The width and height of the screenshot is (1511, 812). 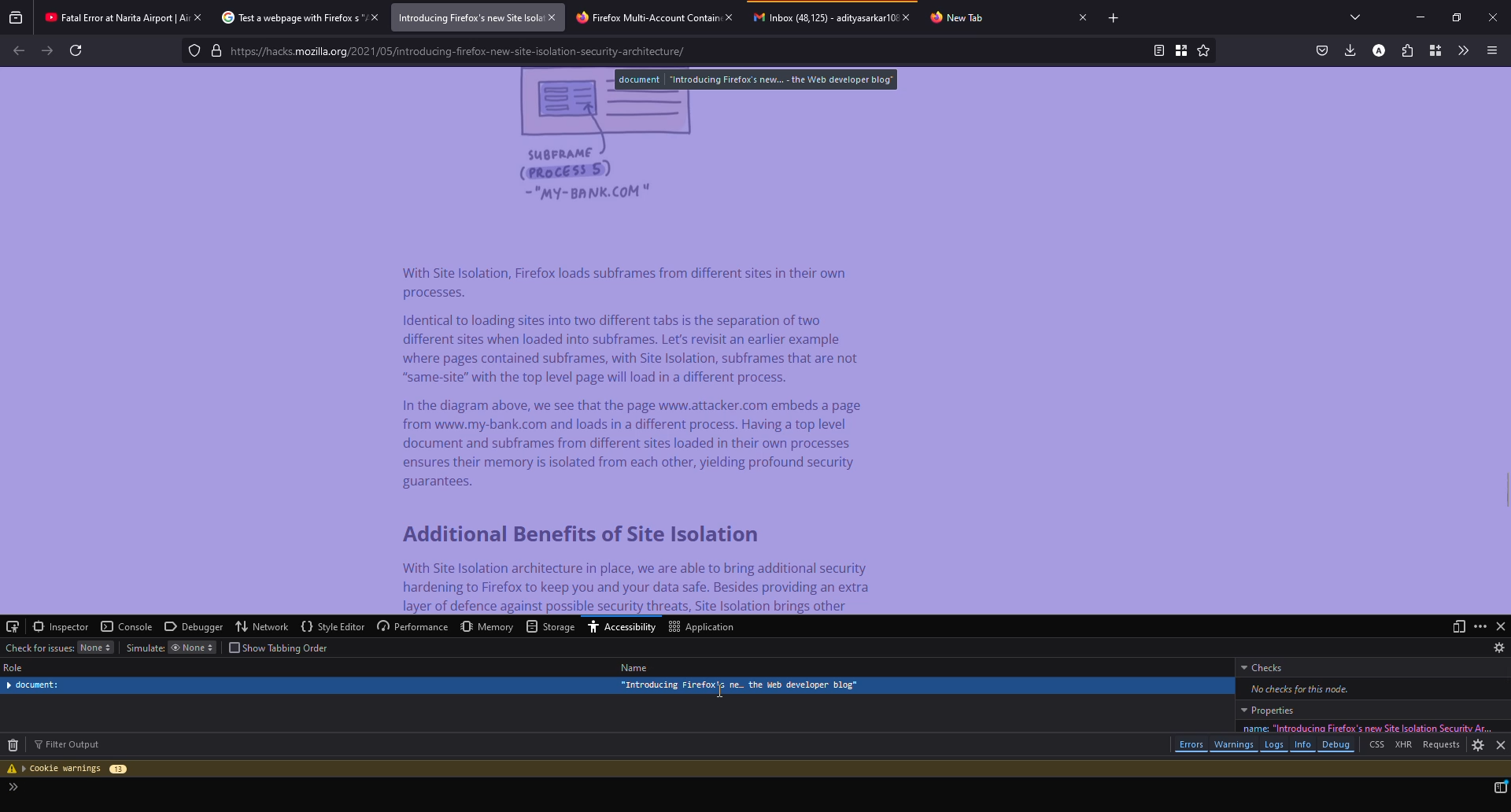 What do you see at coordinates (1500, 787) in the screenshot?
I see `process` at bounding box center [1500, 787].